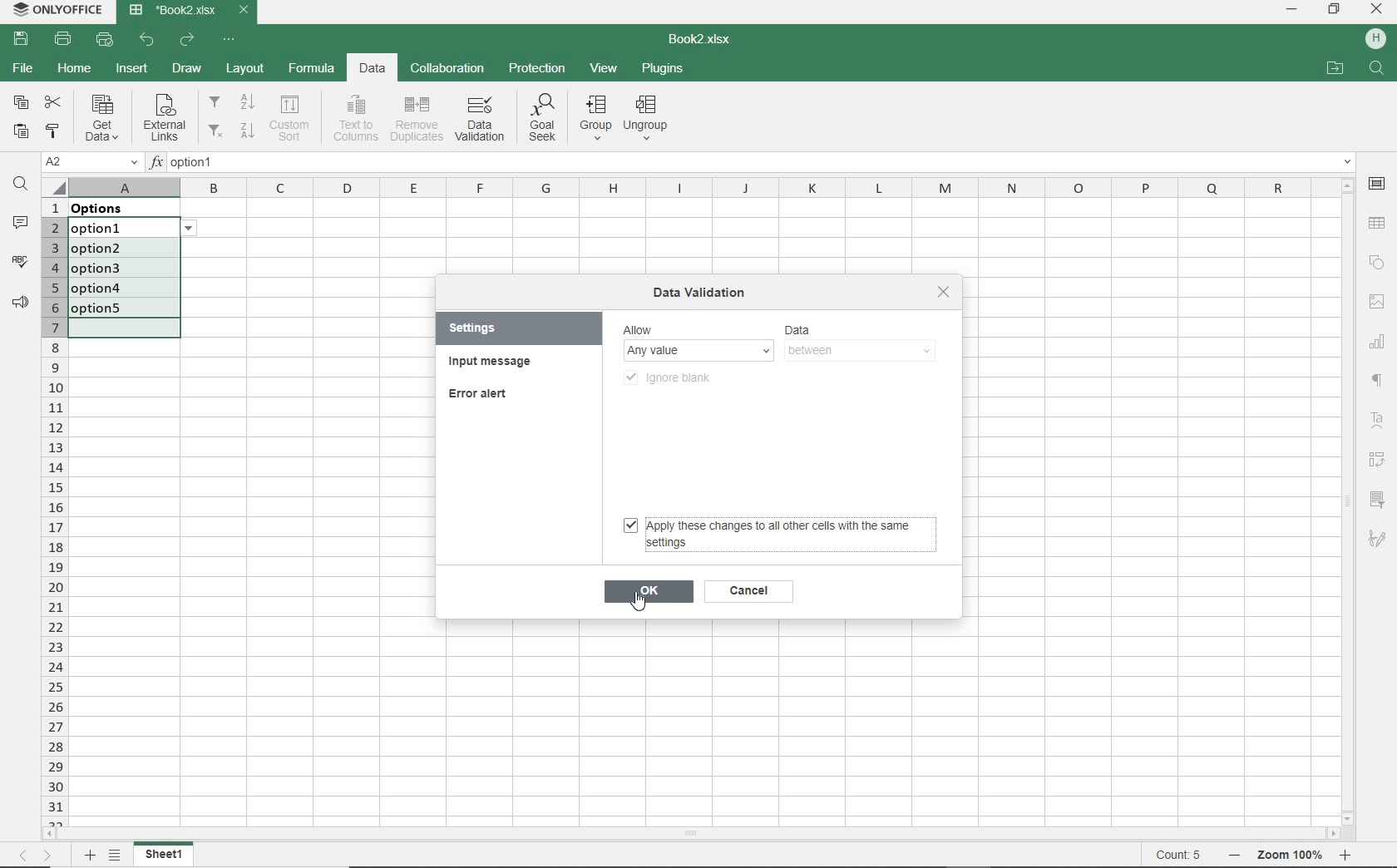  What do you see at coordinates (1379, 302) in the screenshot?
I see `IMAGE` at bounding box center [1379, 302].